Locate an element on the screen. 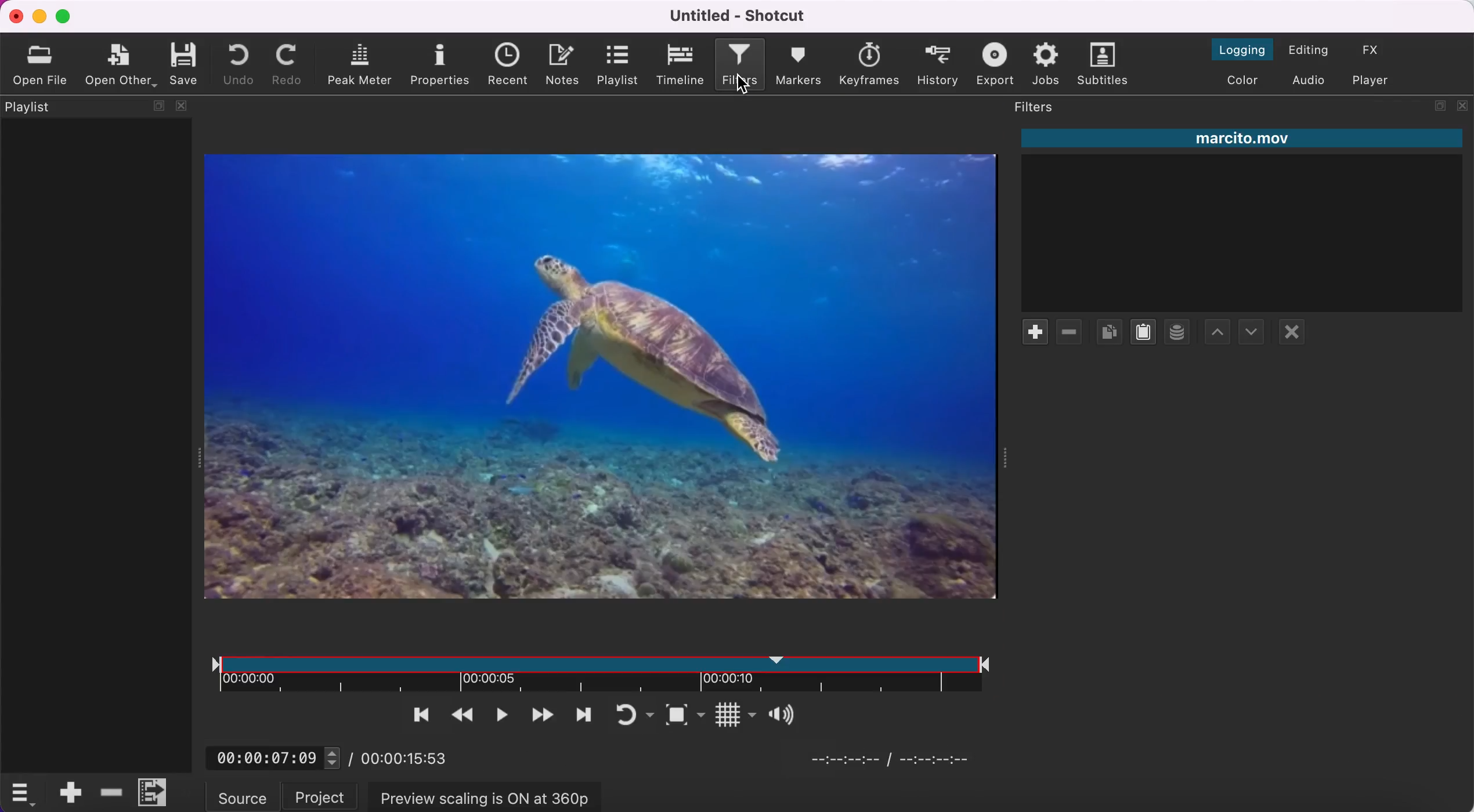 The height and width of the screenshot is (812, 1474). deselect filter is located at coordinates (1294, 333).